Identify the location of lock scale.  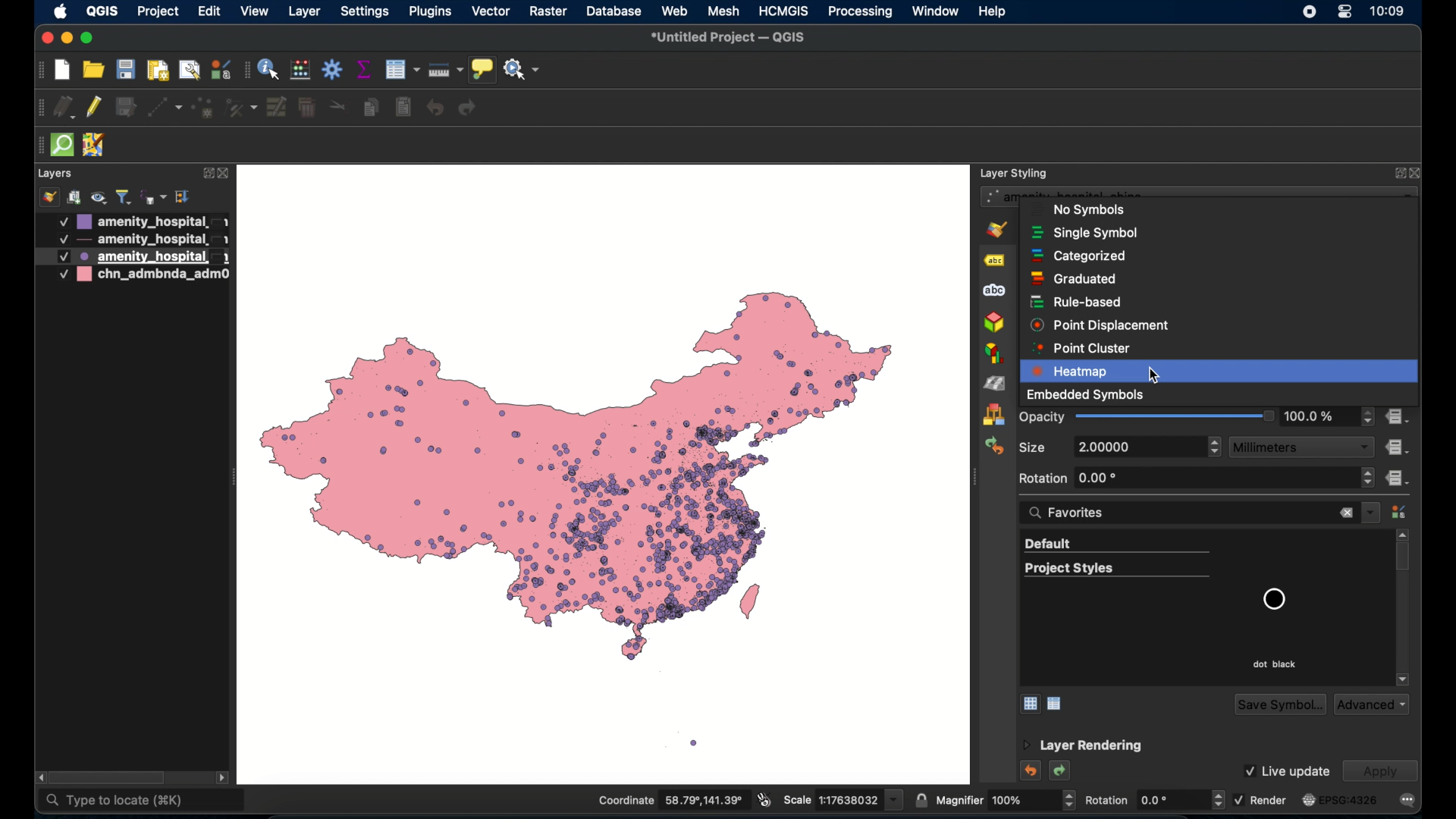
(920, 801).